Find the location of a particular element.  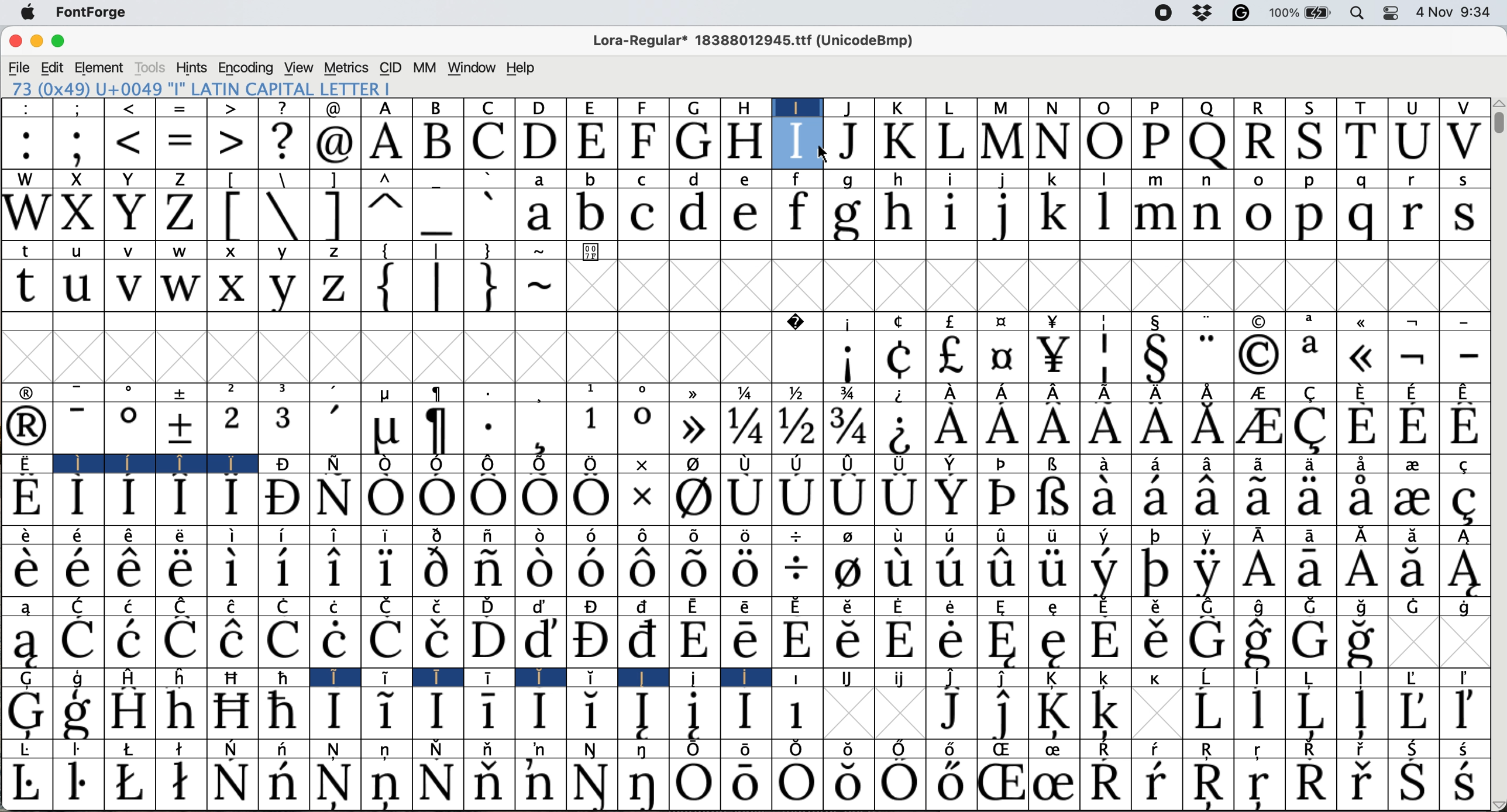

Symbol is located at coordinates (23, 569).